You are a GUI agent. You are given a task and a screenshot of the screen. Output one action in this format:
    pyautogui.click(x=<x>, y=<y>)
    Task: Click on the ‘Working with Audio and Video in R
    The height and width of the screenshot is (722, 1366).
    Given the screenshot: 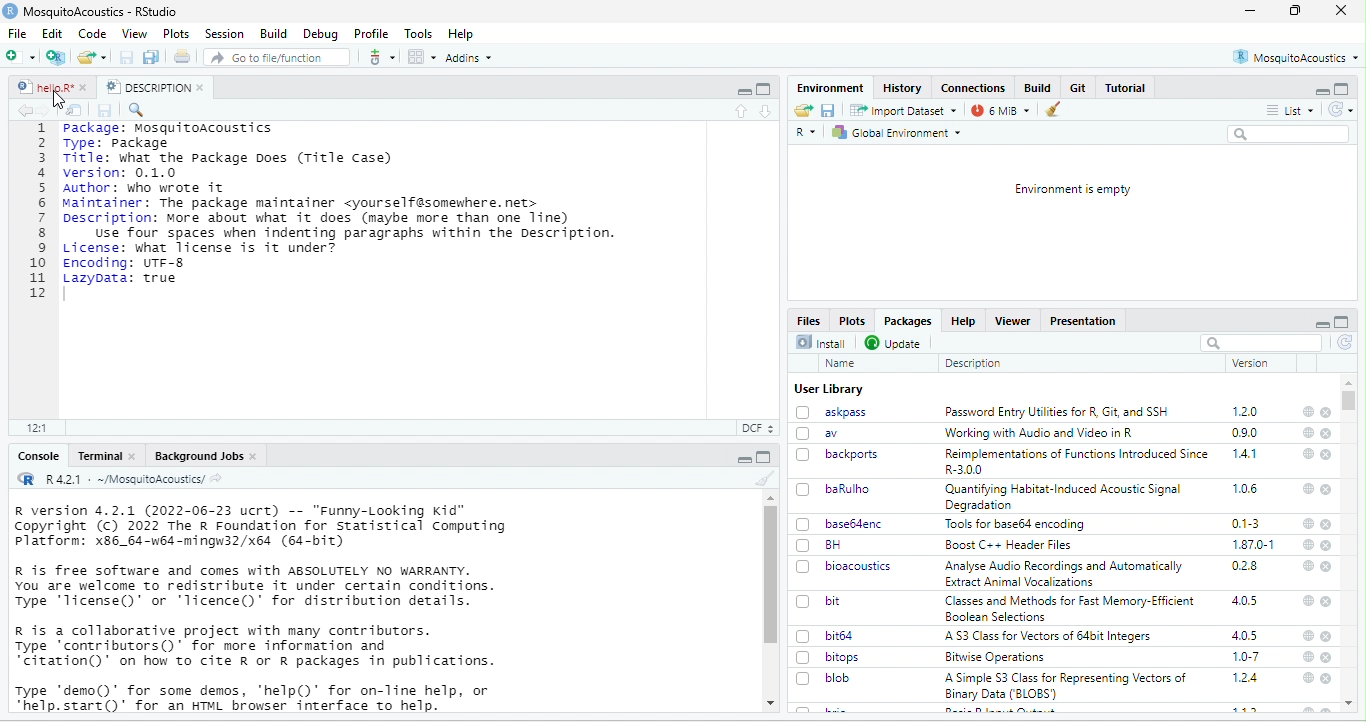 What is the action you would take?
    pyautogui.click(x=1039, y=432)
    